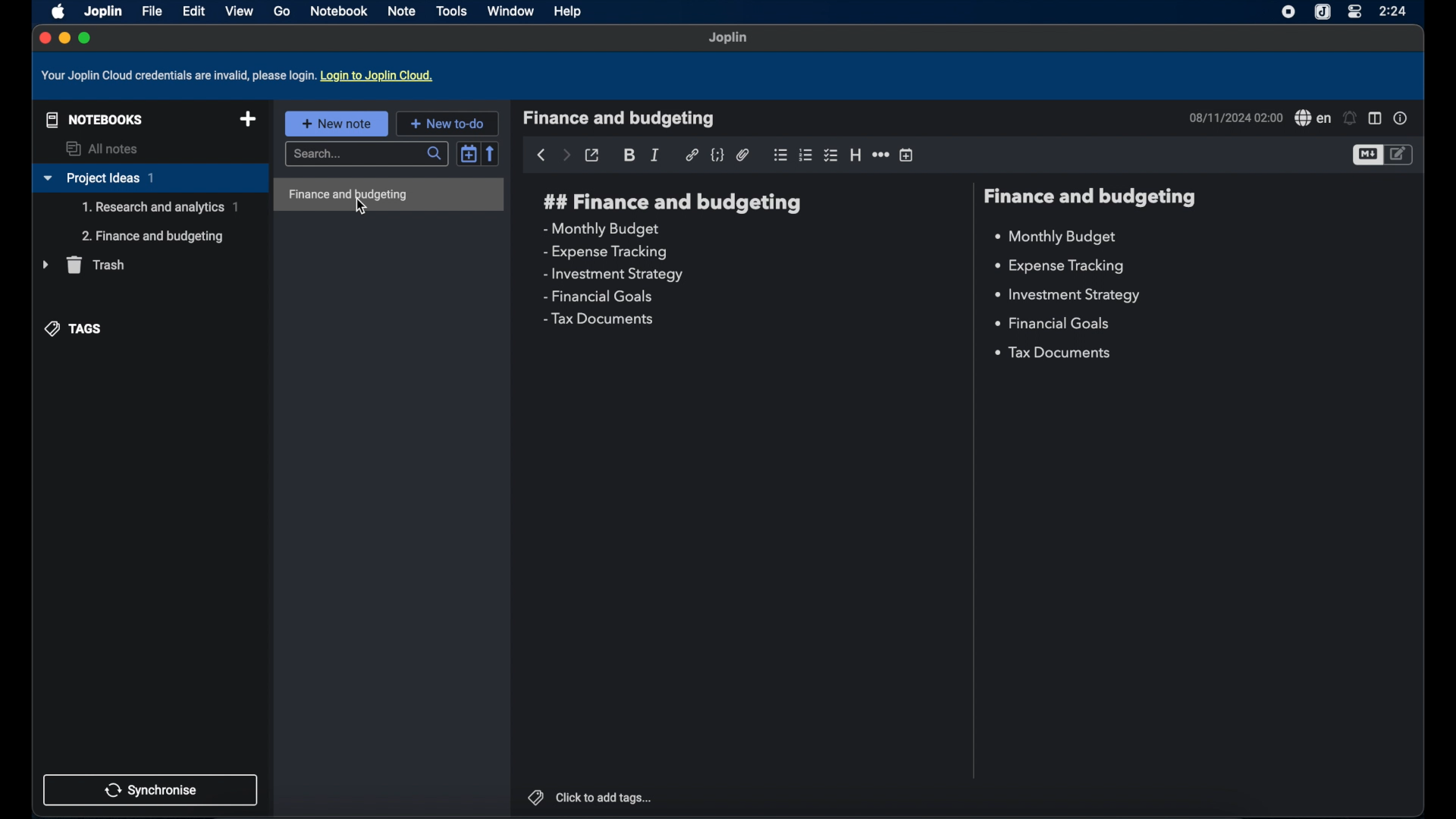 The height and width of the screenshot is (819, 1456). What do you see at coordinates (1401, 154) in the screenshot?
I see `toggle editor` at bounding box center [1401, 154].